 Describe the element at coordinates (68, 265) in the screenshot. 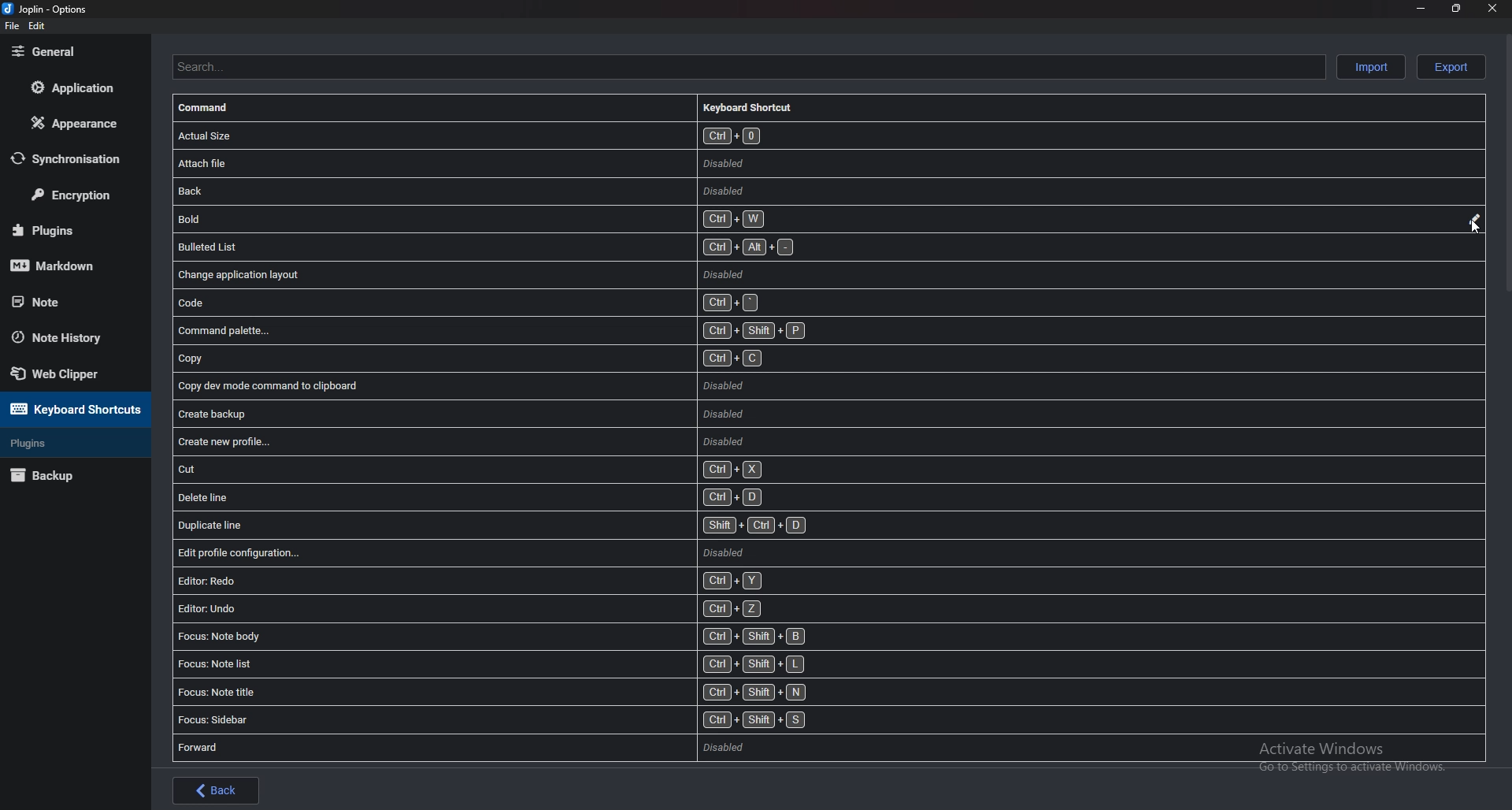

I see `Mark down` at that location.